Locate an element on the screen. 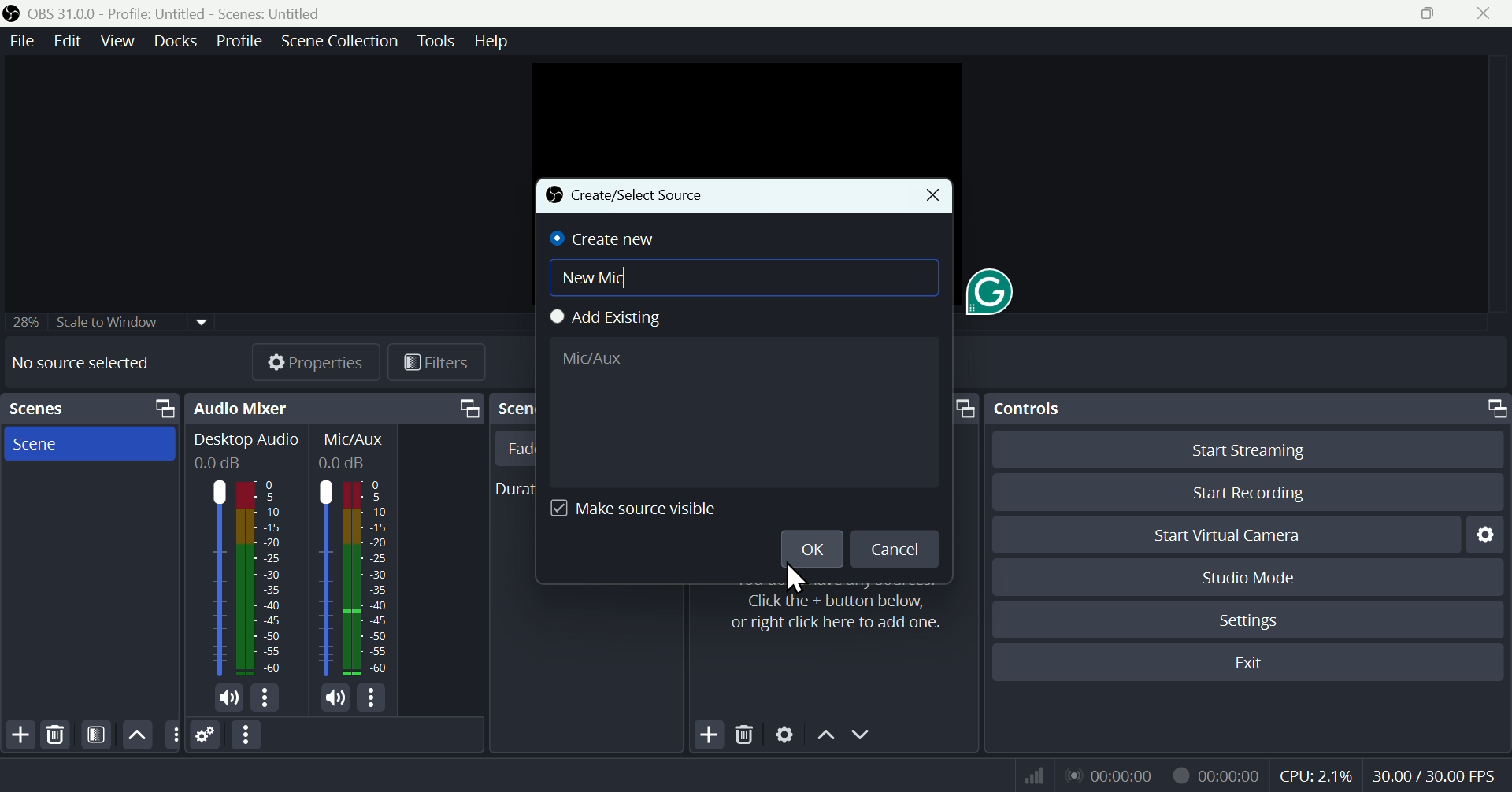 Image resolution: width=1512 pixels, height=792 pixels. Grammarly is located at coordinates (992, 288).